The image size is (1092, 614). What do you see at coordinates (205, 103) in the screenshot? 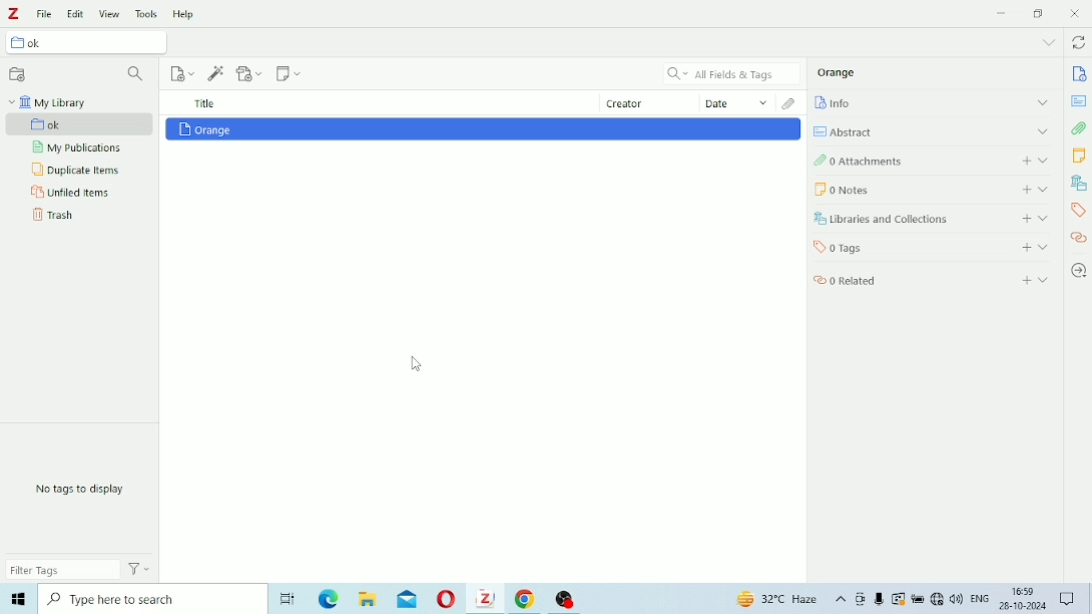
I see `Title` at bounding box center [205, 103].